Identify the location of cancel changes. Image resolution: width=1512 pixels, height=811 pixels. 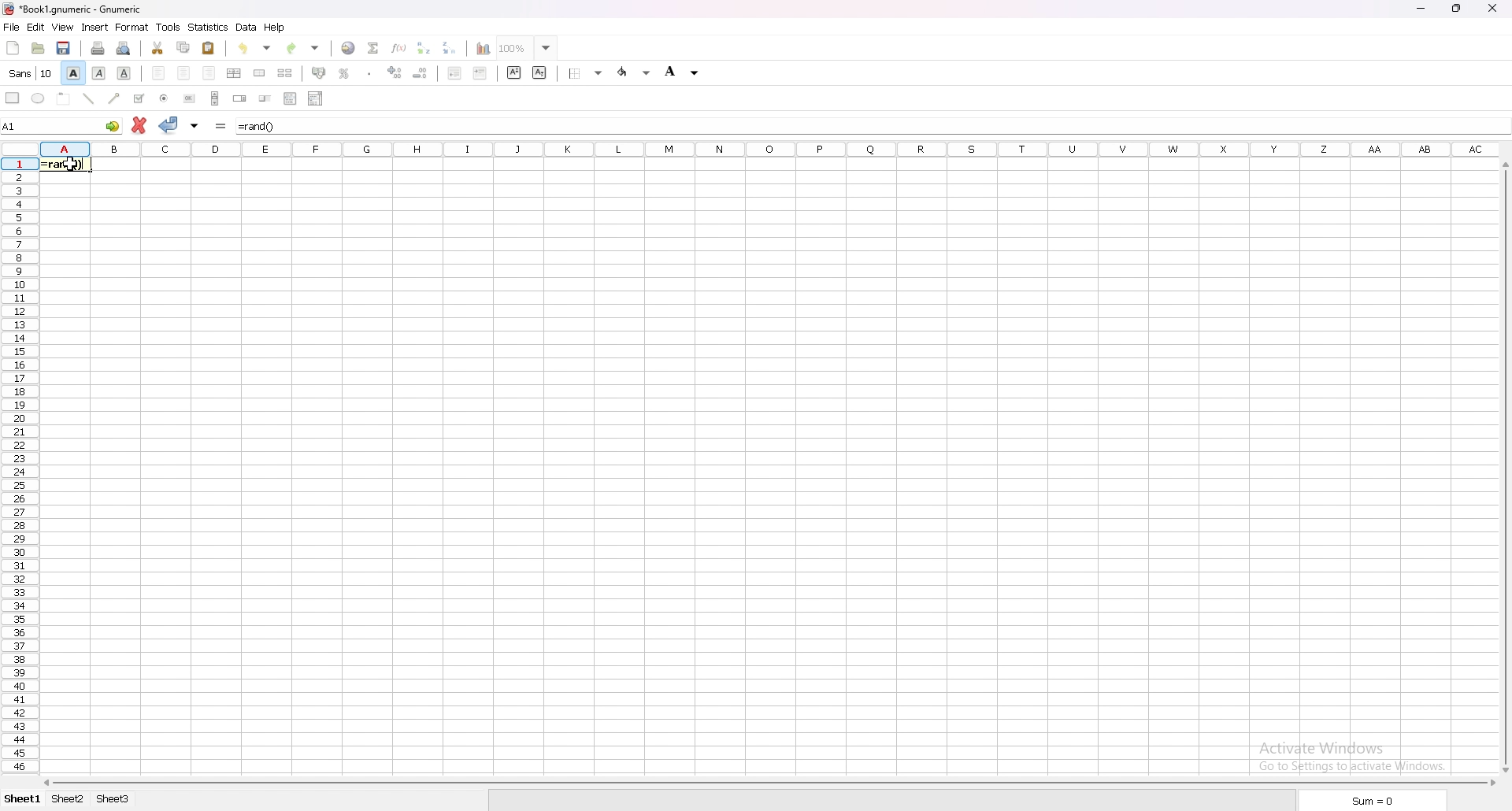
(142, 125).